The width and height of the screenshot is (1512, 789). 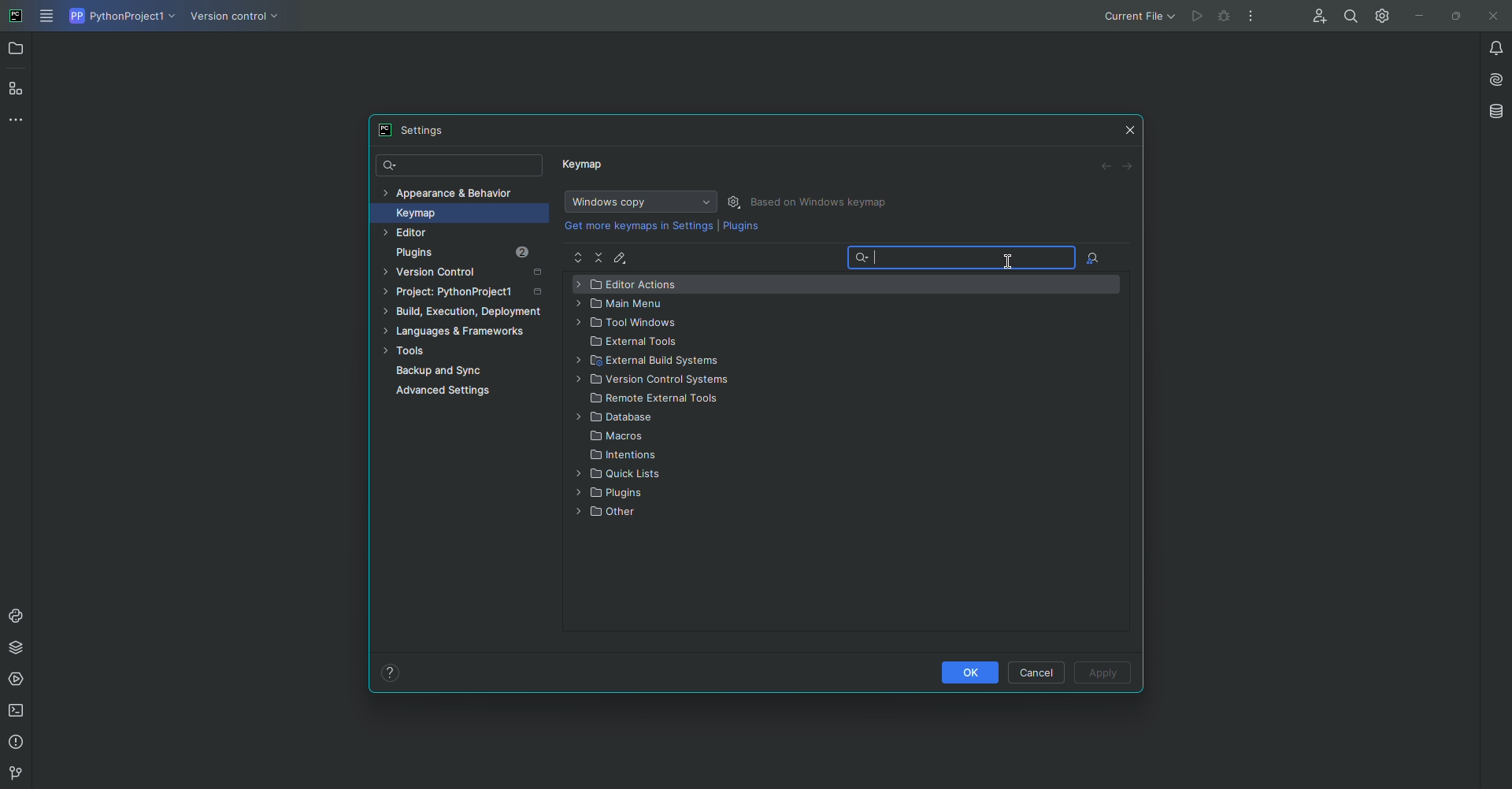 I want to click on Restore, so click(x=1452, y=15).